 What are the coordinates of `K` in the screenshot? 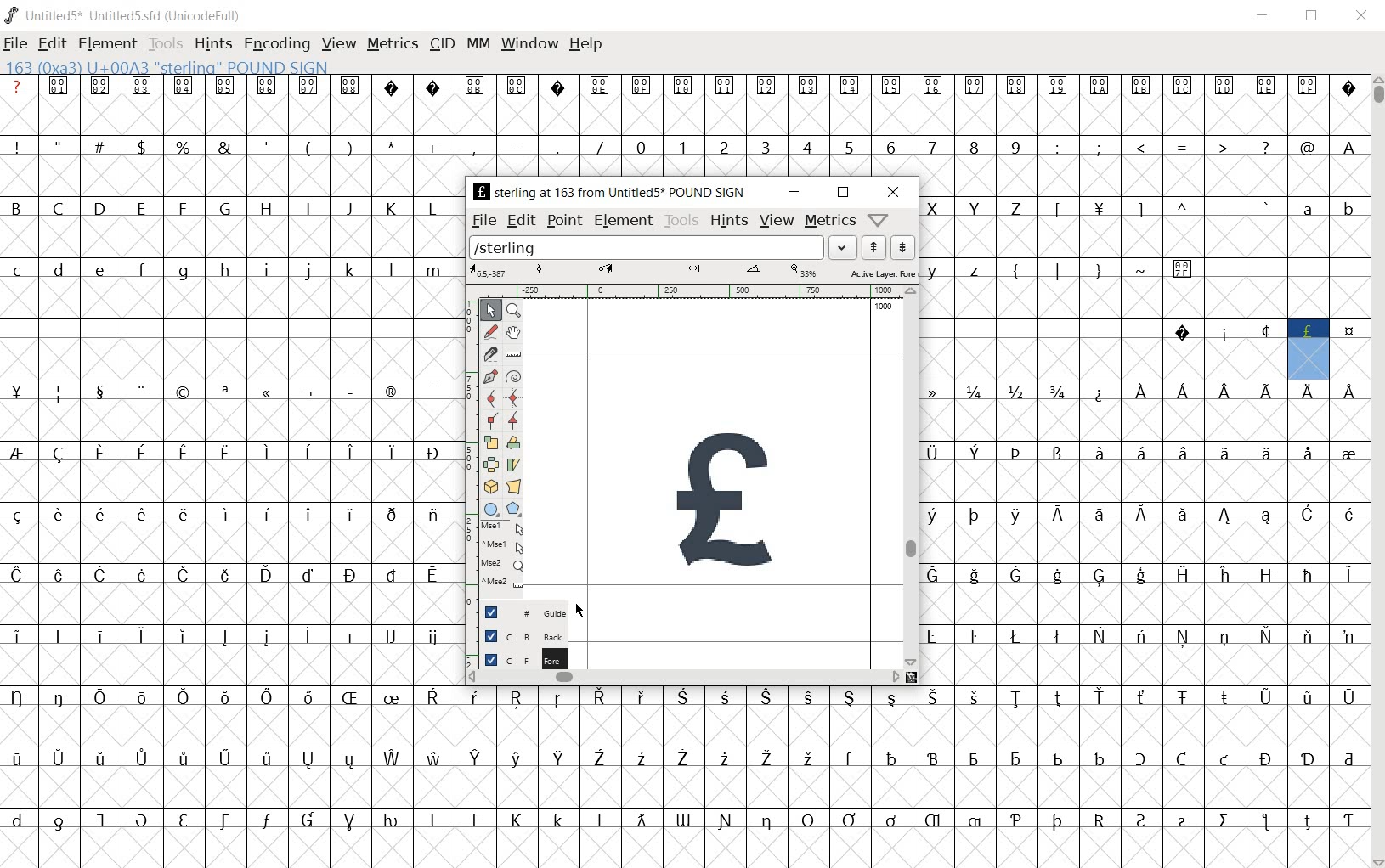 It's located at (391, 208).